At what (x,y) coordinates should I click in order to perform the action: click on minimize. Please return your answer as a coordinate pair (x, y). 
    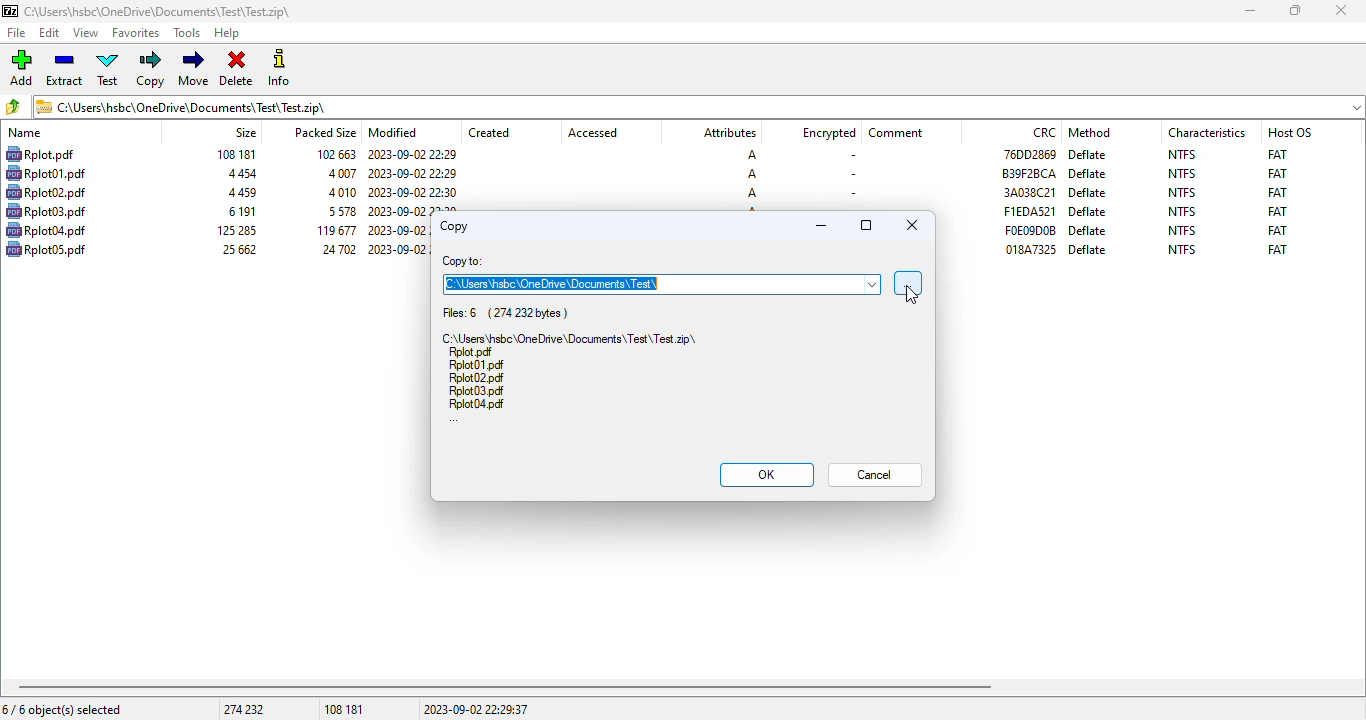
    Looking at the image, I should click on (821, 225).